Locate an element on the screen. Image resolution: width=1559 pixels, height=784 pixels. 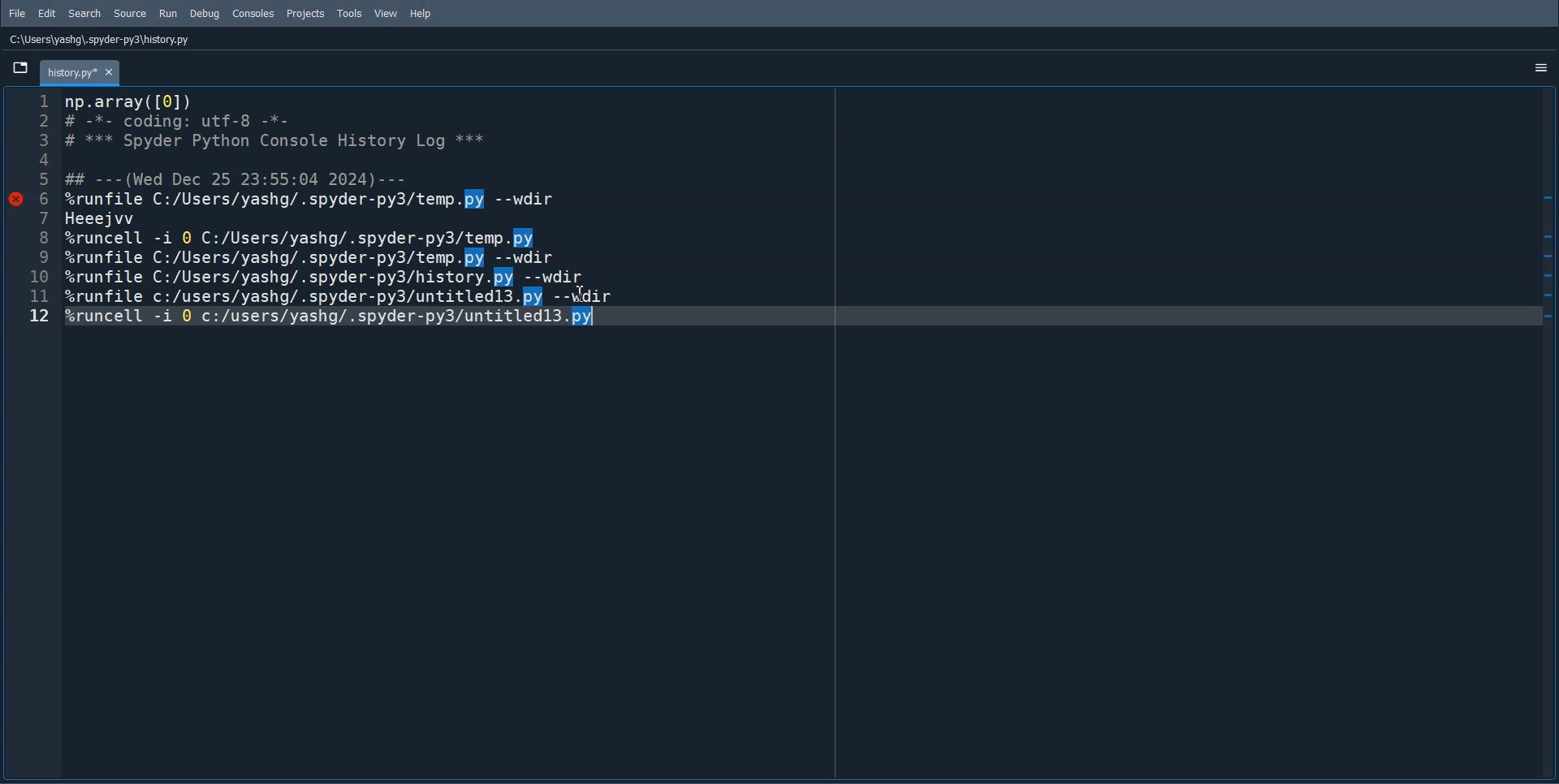
Run is located at coordinates (168, 14).